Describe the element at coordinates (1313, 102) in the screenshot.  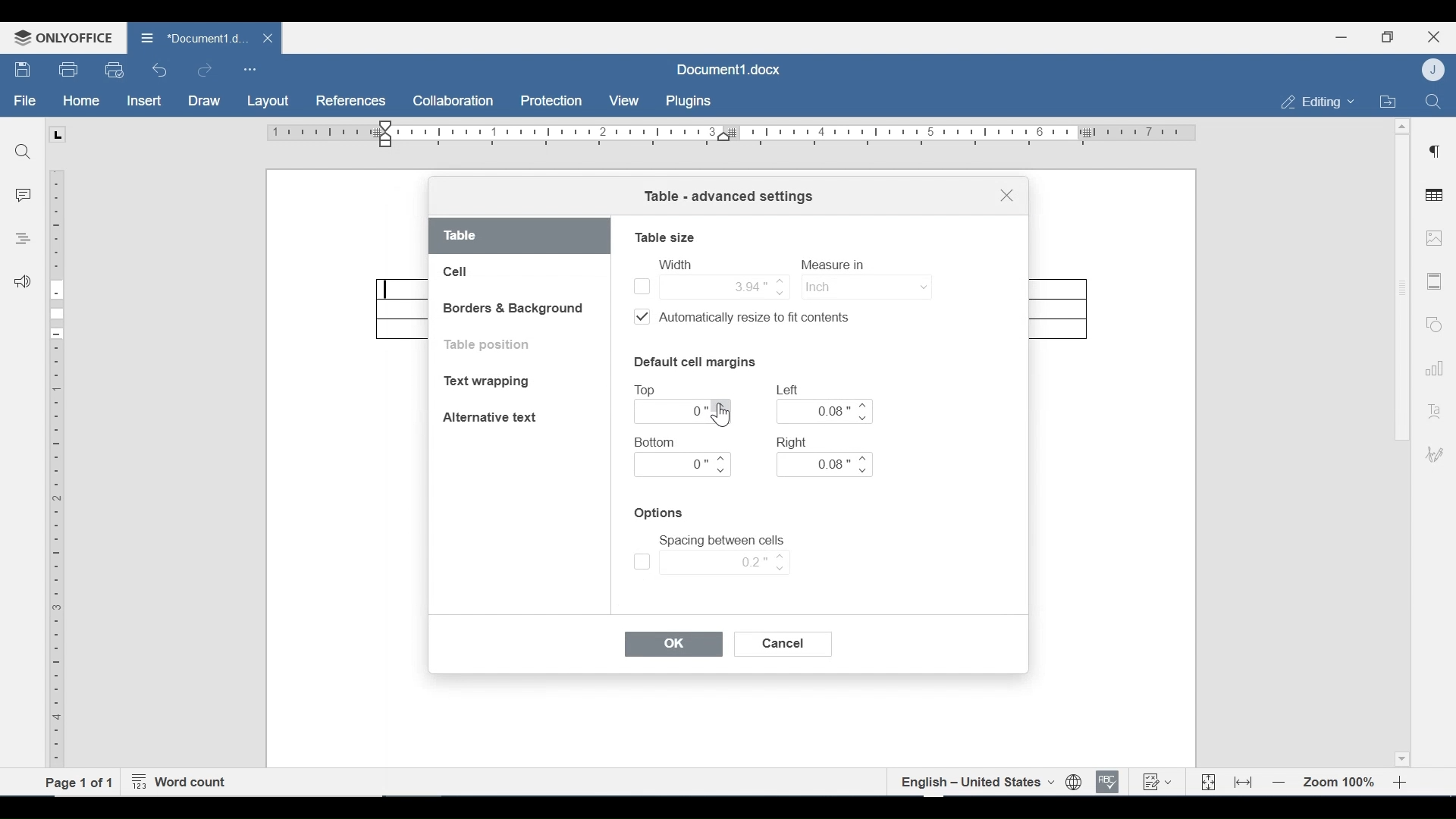
I see `Editing` at that location.